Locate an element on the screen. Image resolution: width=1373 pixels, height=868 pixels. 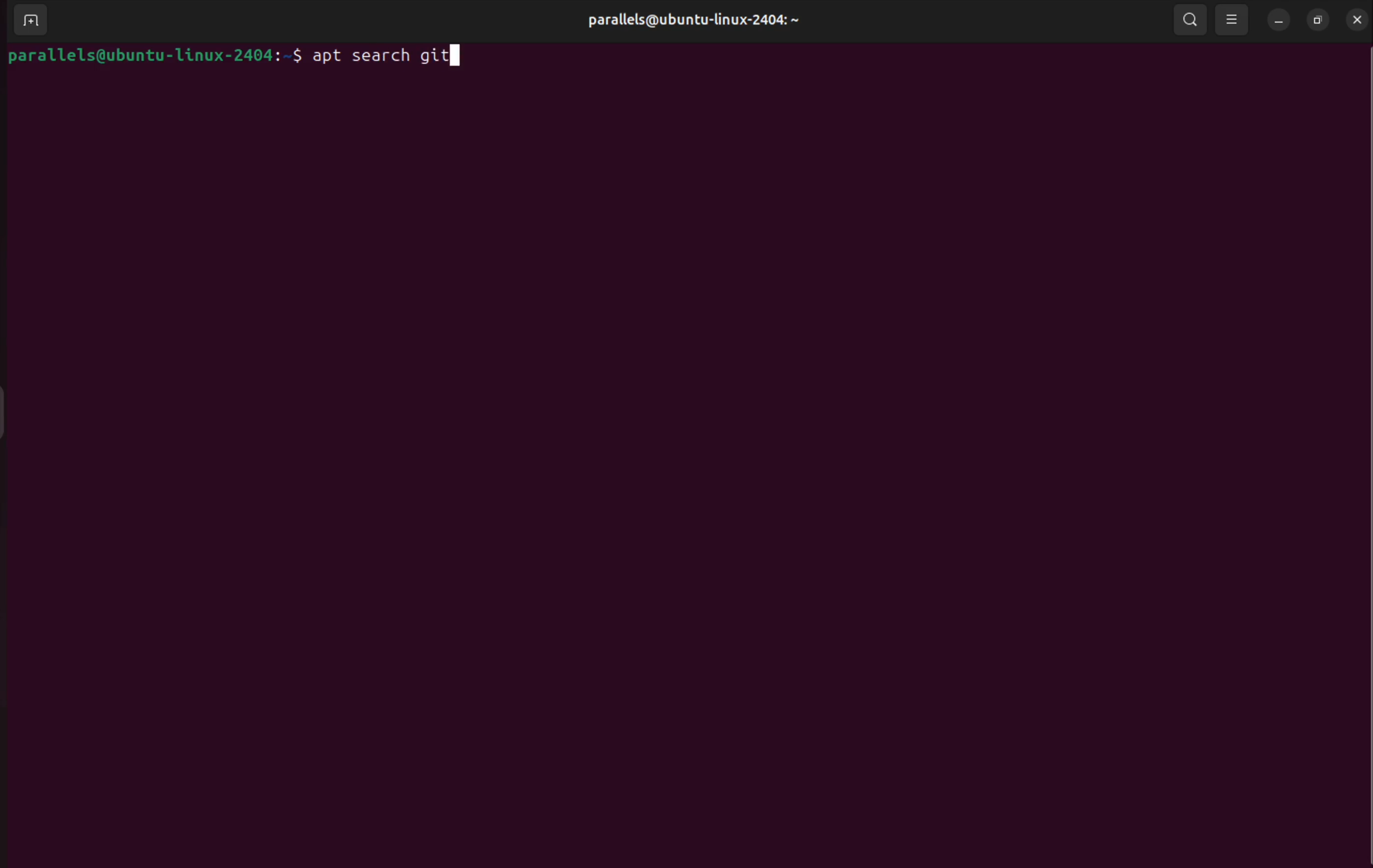
resize is located at coordinates (1318, 20).